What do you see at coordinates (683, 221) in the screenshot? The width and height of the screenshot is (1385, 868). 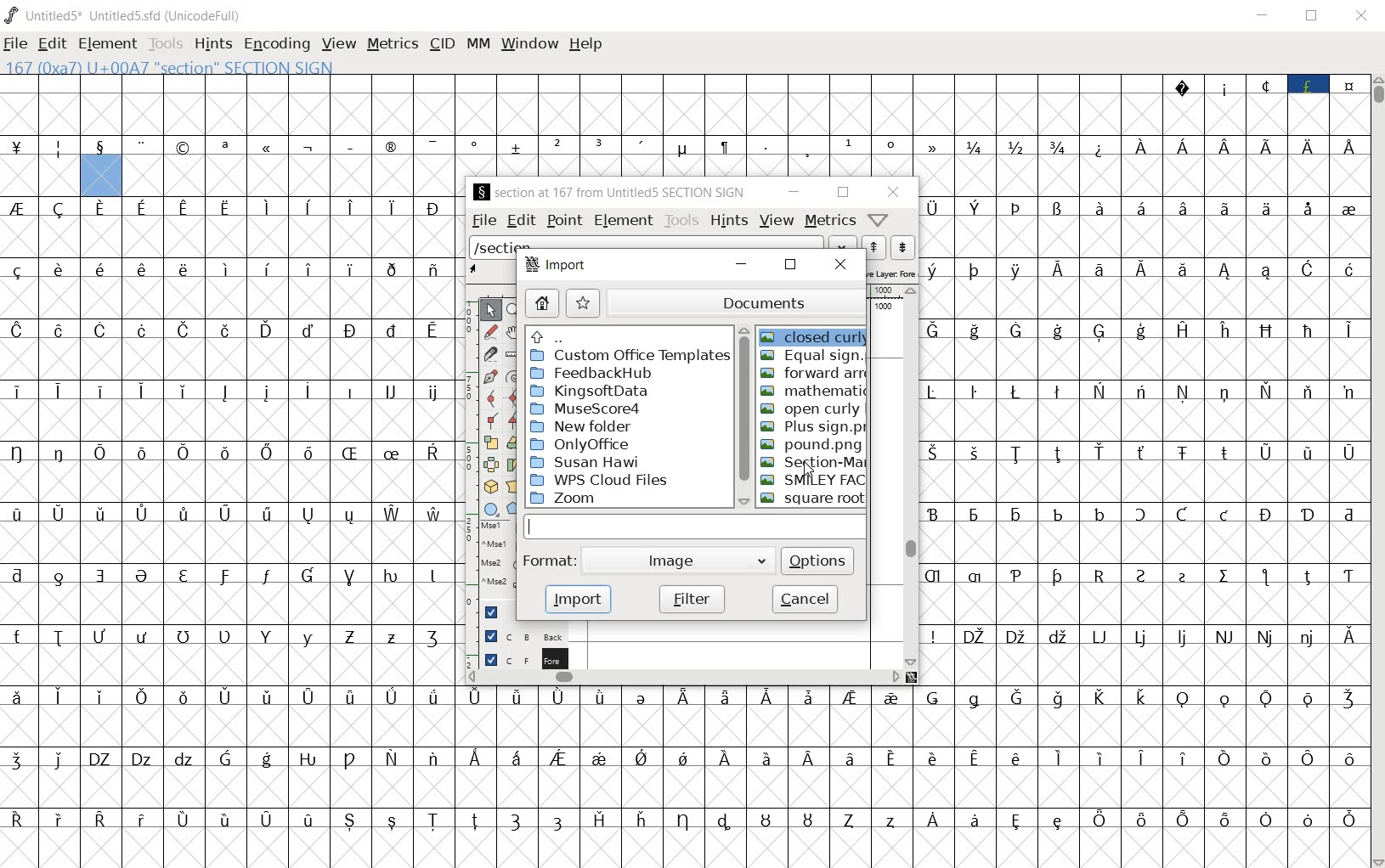 I see `tools` at bounding box center [683, 221].